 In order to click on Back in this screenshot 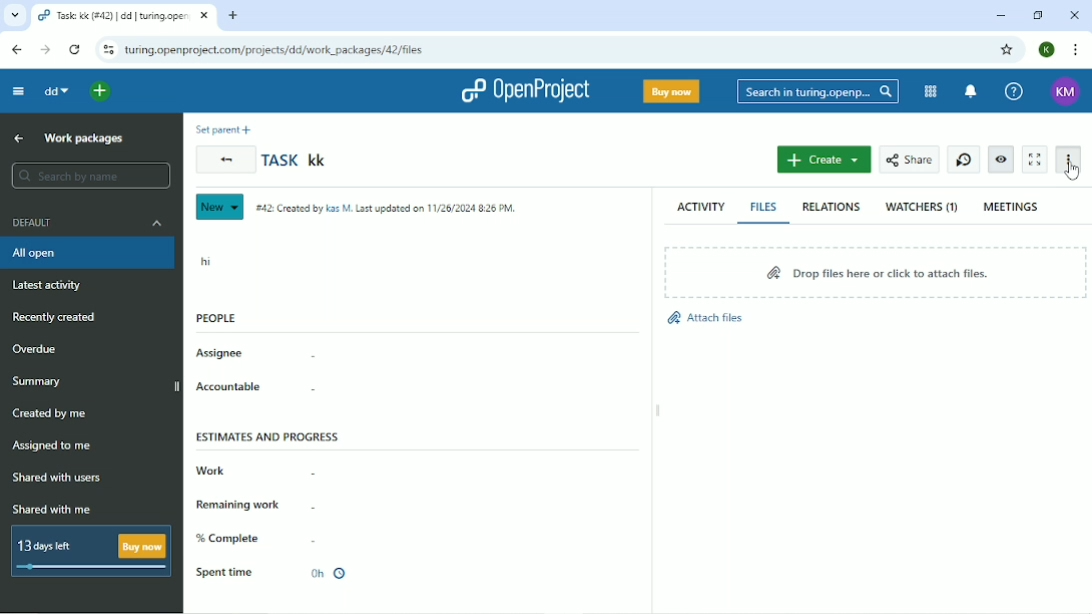, I will do `click(225, 159)`.